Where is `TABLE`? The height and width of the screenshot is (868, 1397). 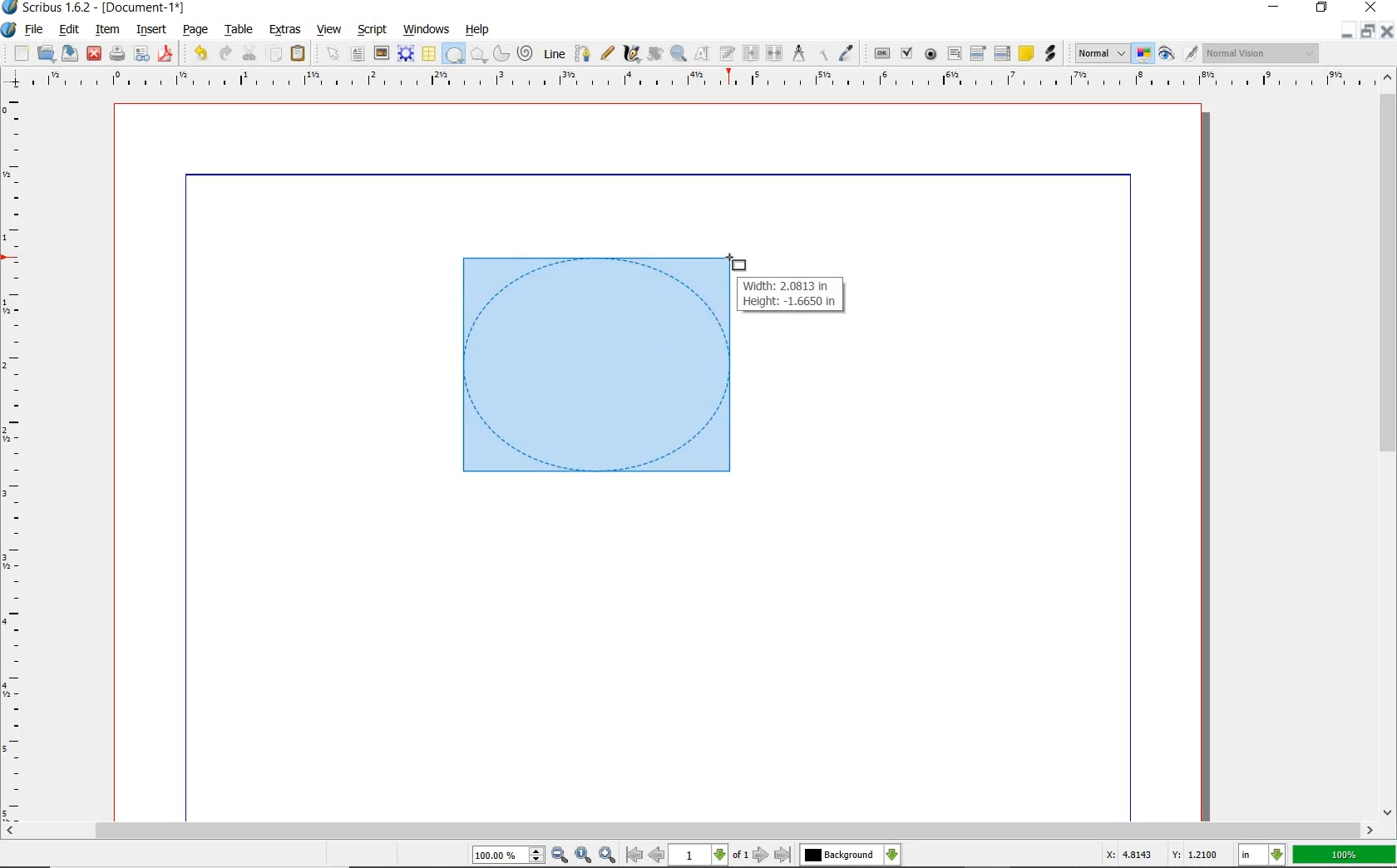 TABLE is located at coordinates (428, 54).